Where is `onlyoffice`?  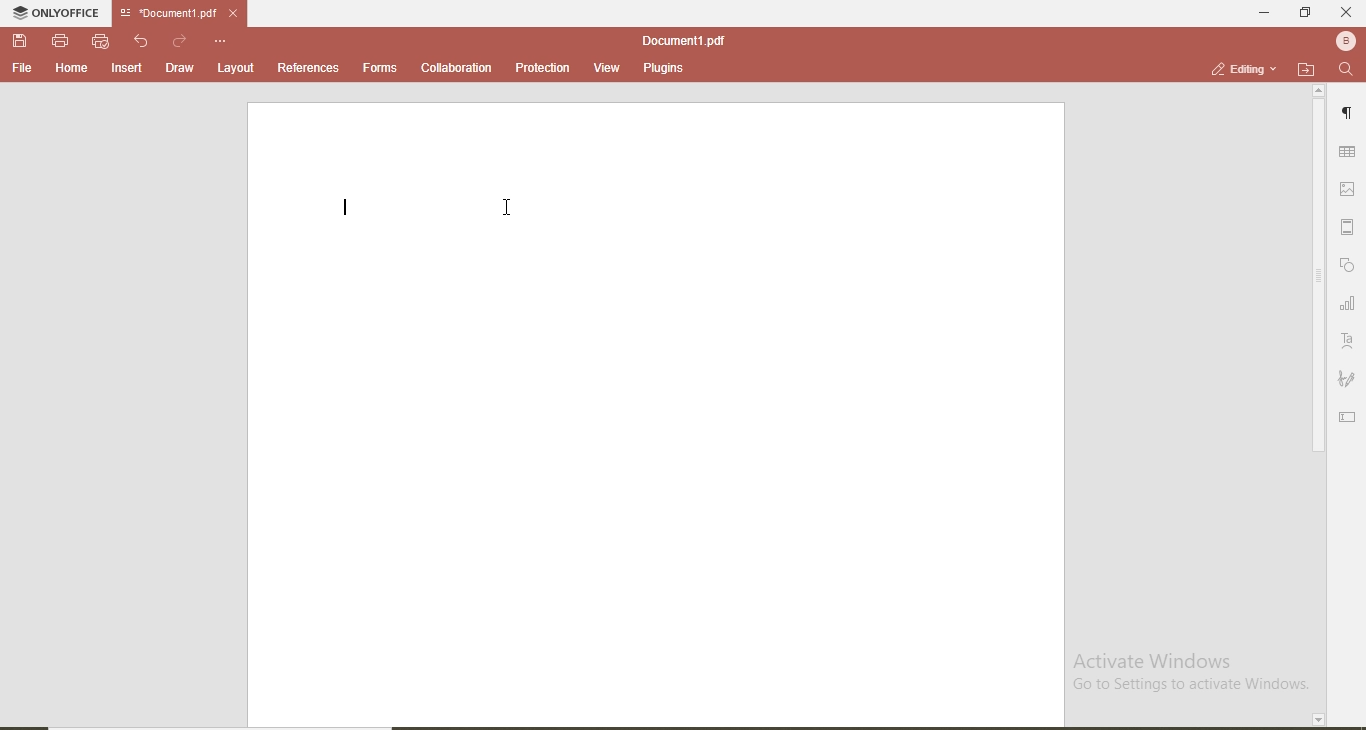 onlyoffice is located at coordinates (51, 12).